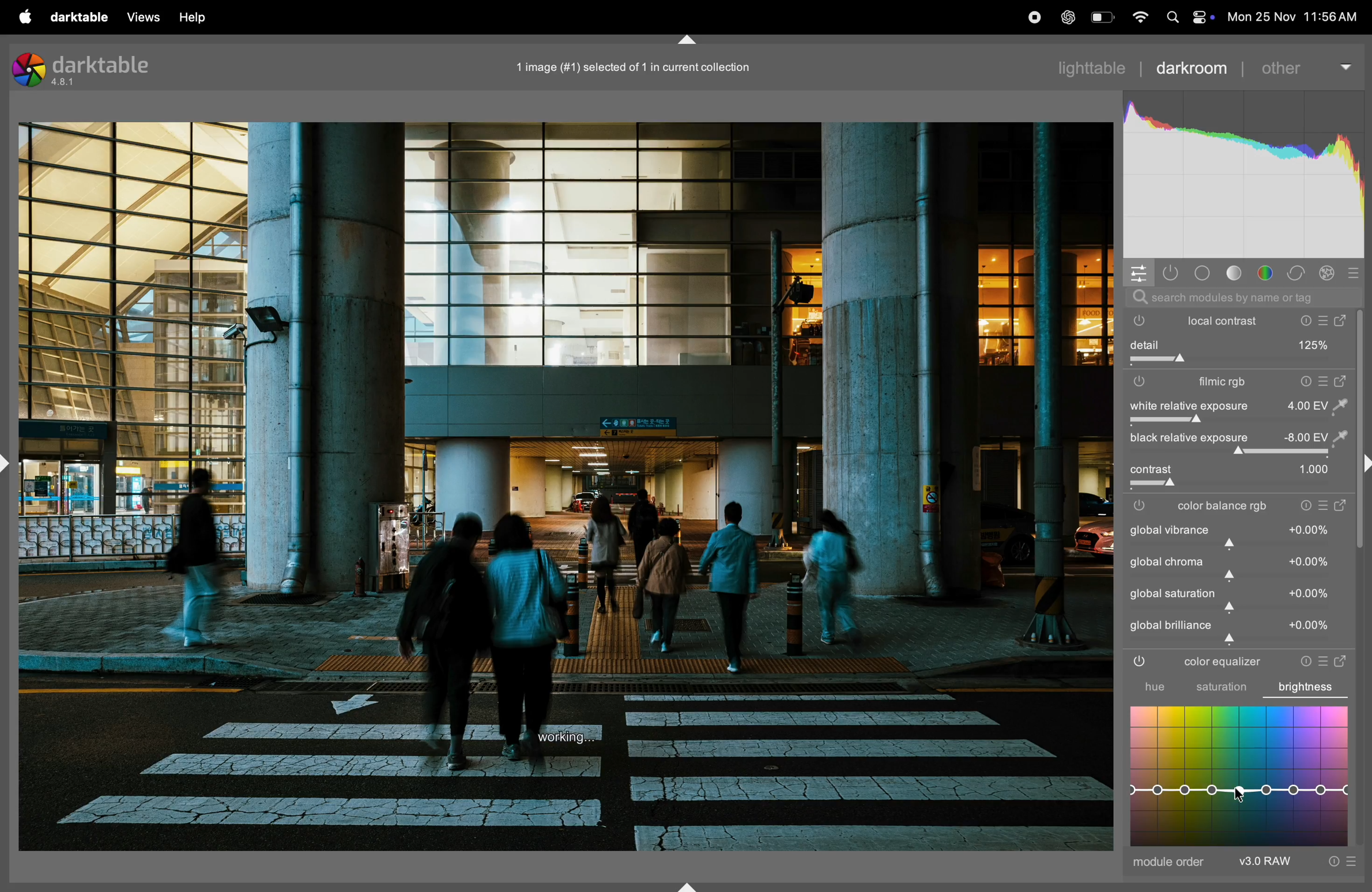  I want to click on global chrome, so click(1167, 562).